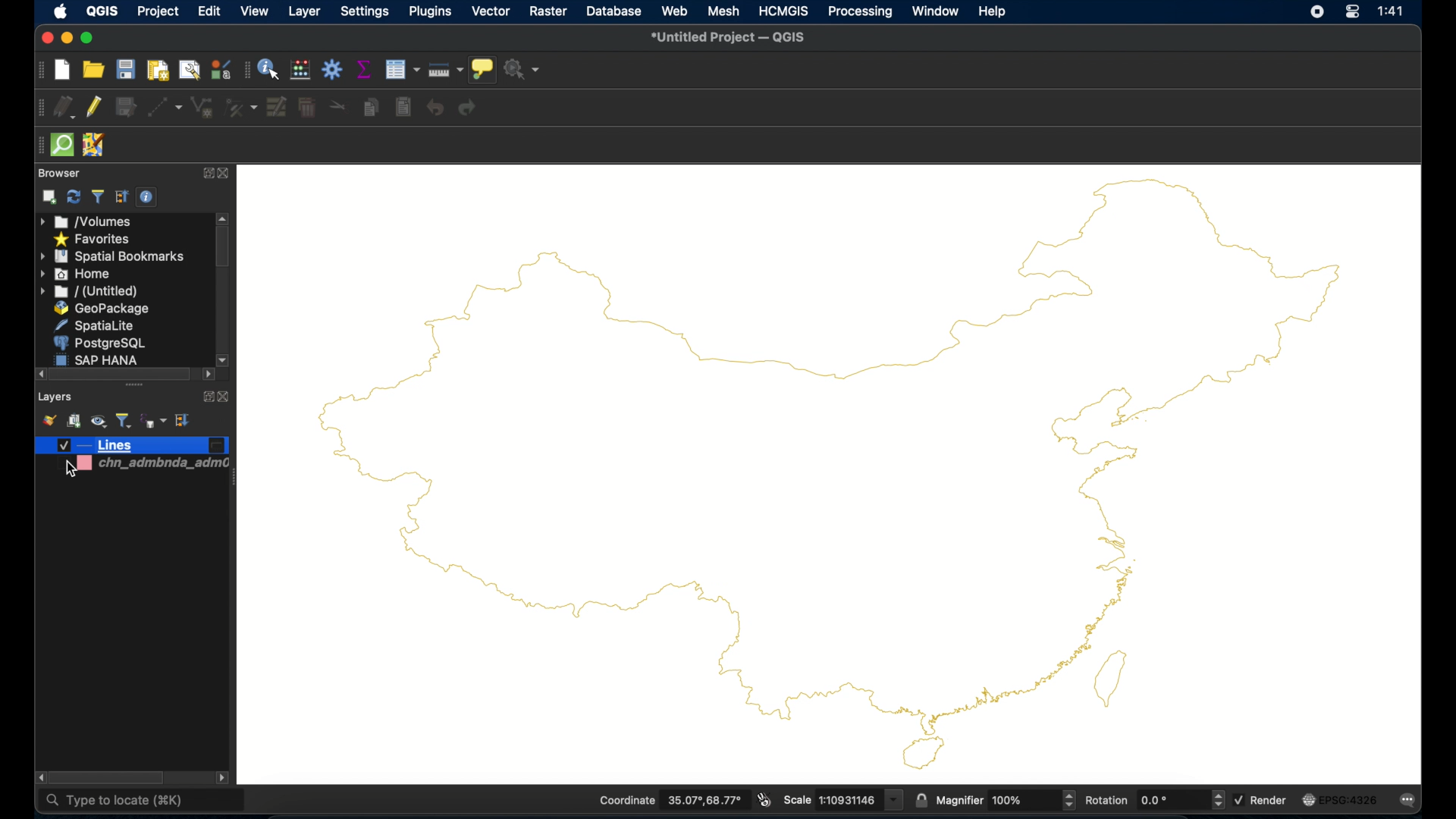 This screenshot has width=1456, height=819. Describe the element at coordinates (163, 466) in the screenshot. I see `chn_admbnda_adm0` at that location.